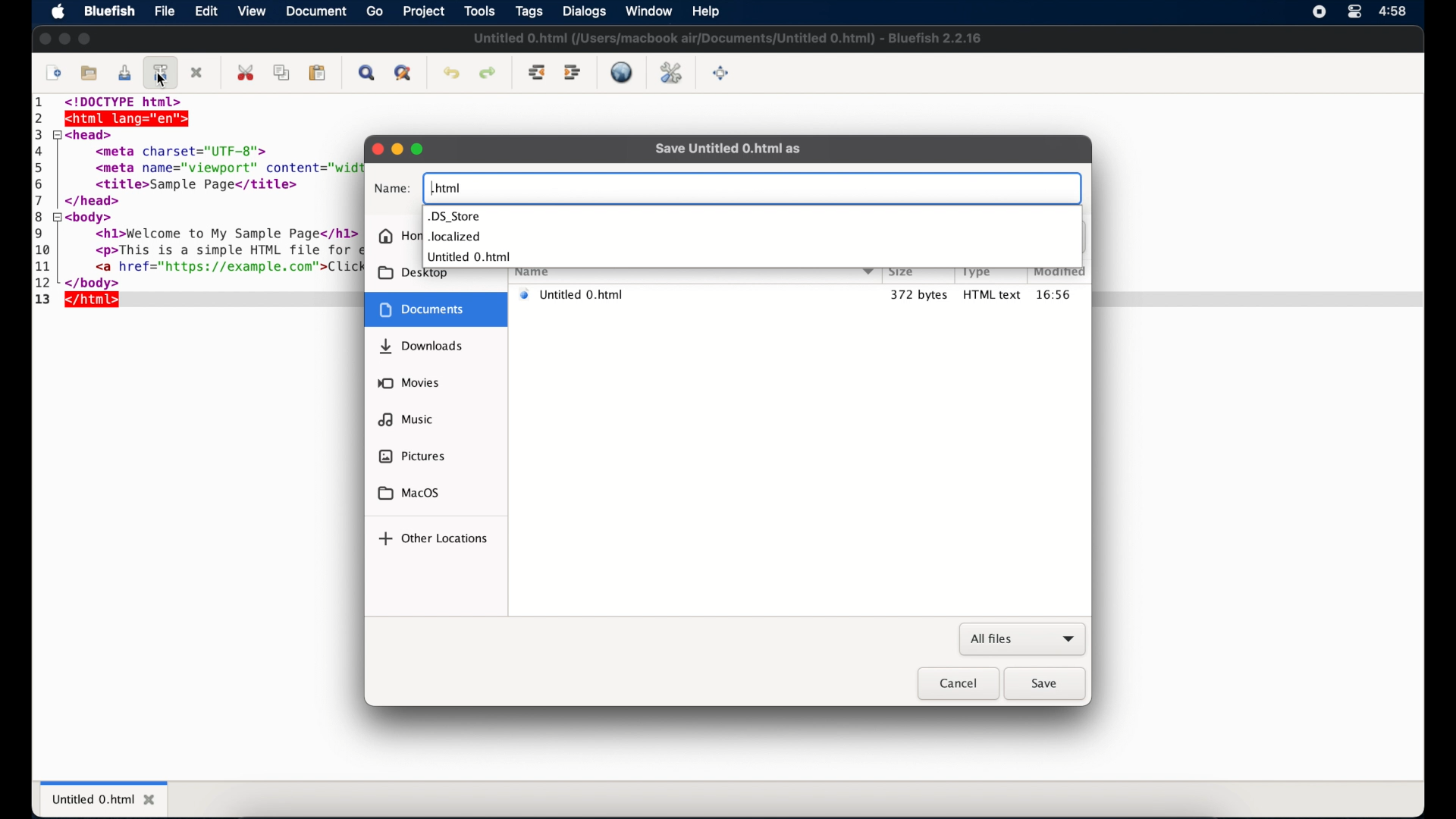  Describe the element at coordinates (918, 294) in the screenshot. I see `372 bytes` at that location.